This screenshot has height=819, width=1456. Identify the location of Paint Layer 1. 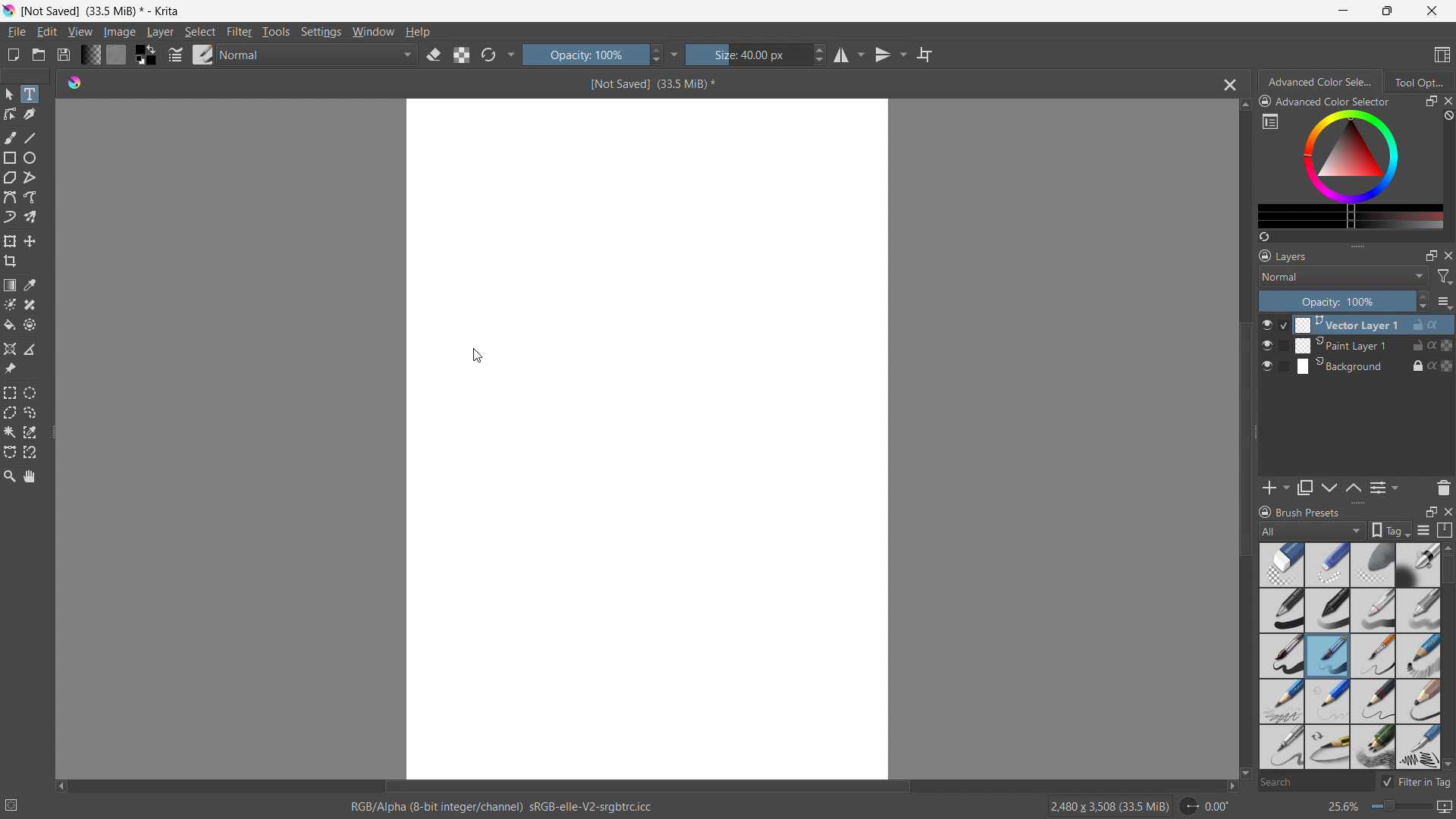
(1367, 346).